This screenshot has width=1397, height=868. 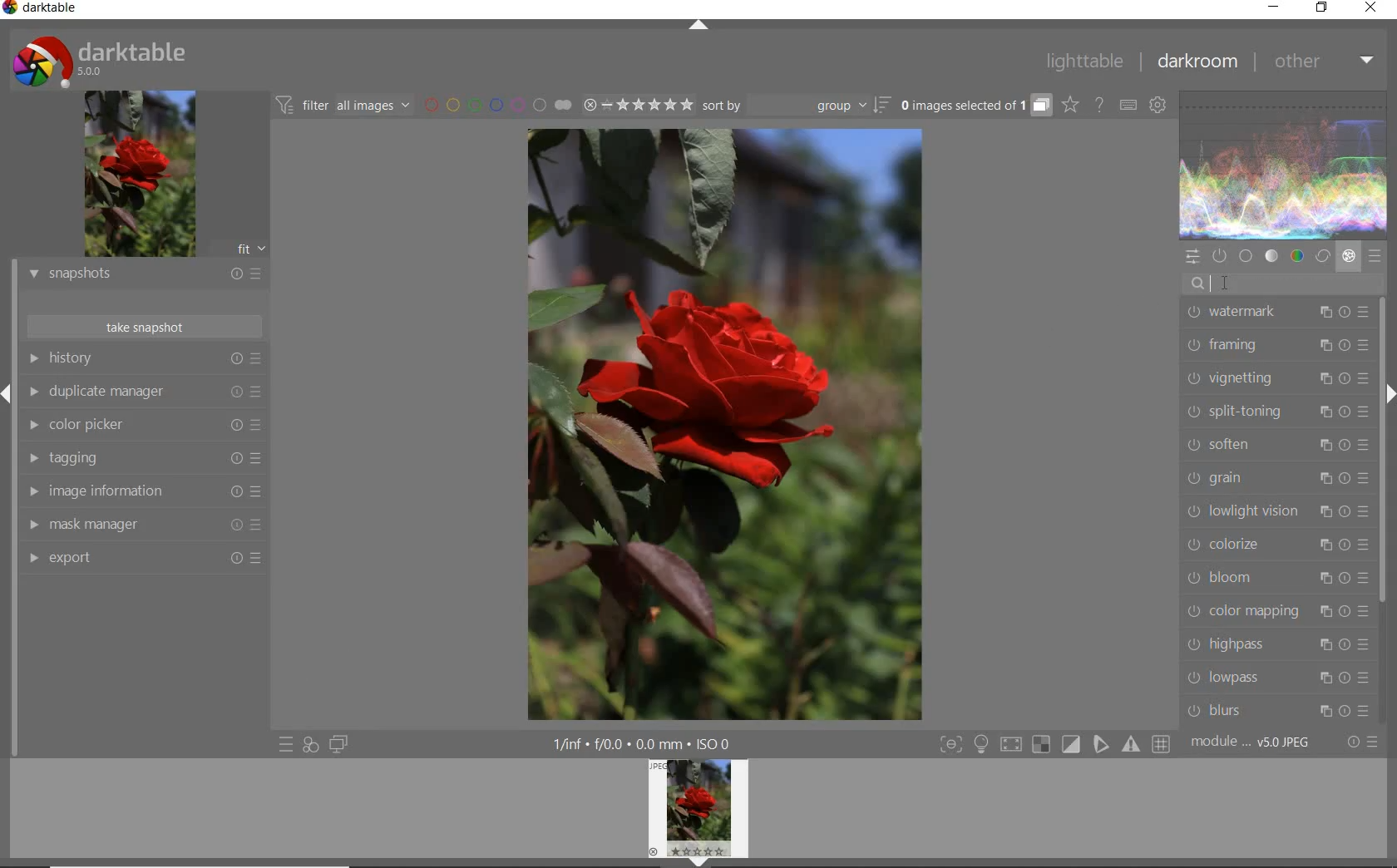 I want to click on search modules by name, so click(x=1287, y=283).